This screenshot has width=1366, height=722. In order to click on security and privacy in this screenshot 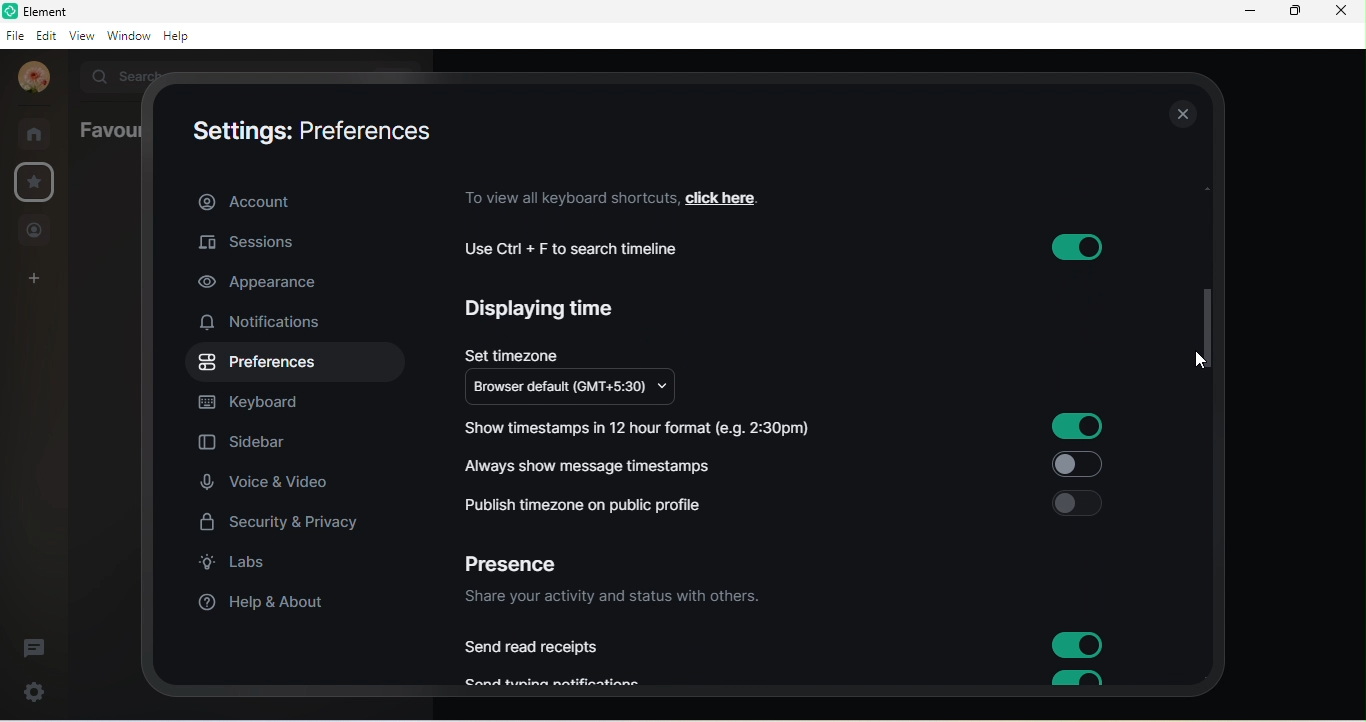, I will do `click(282, 522)`.